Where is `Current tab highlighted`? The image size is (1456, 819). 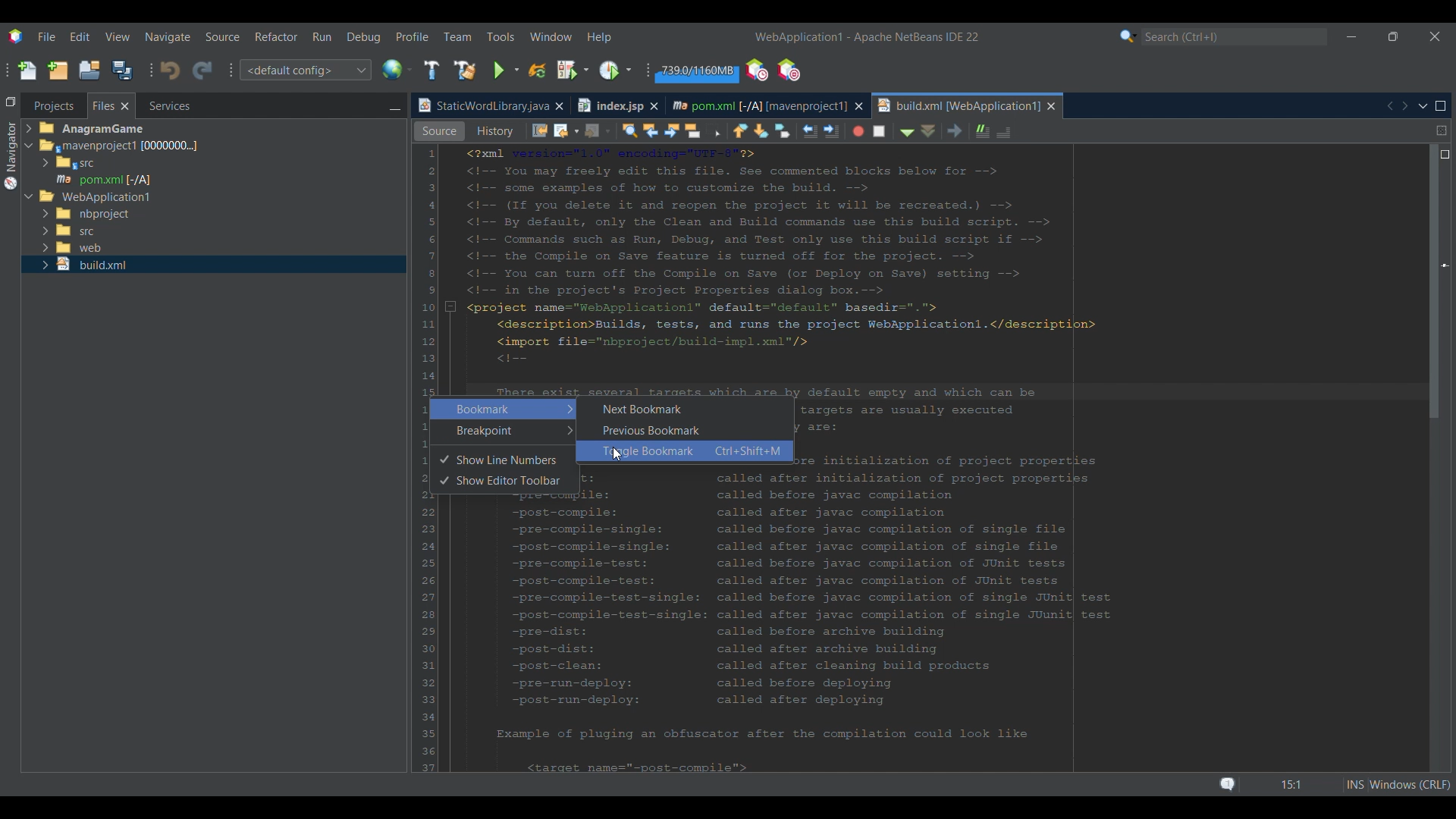
Current tab highlighted is located at coordinates (482, 106).